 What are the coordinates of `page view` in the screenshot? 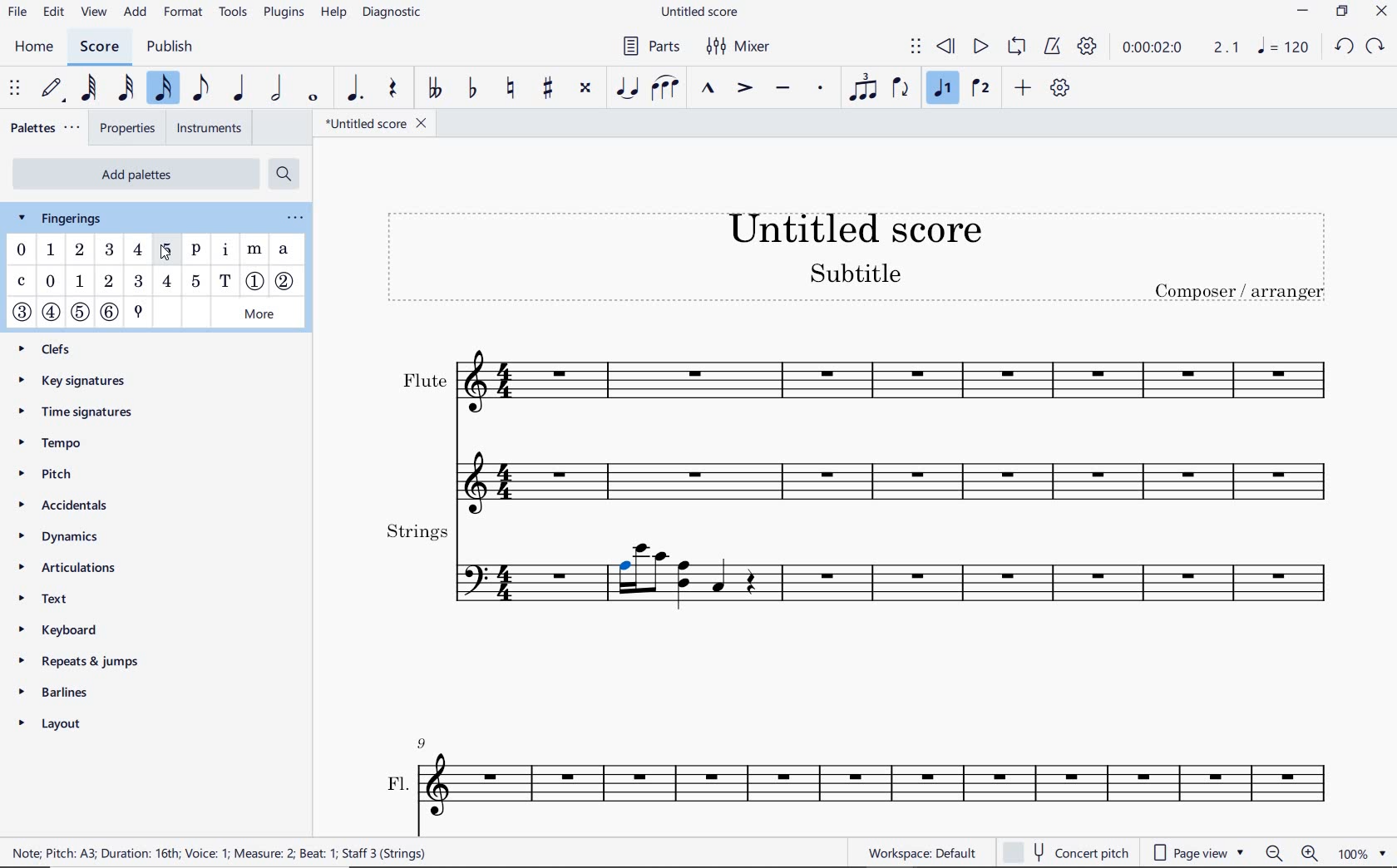 It's located at (1198, 851).